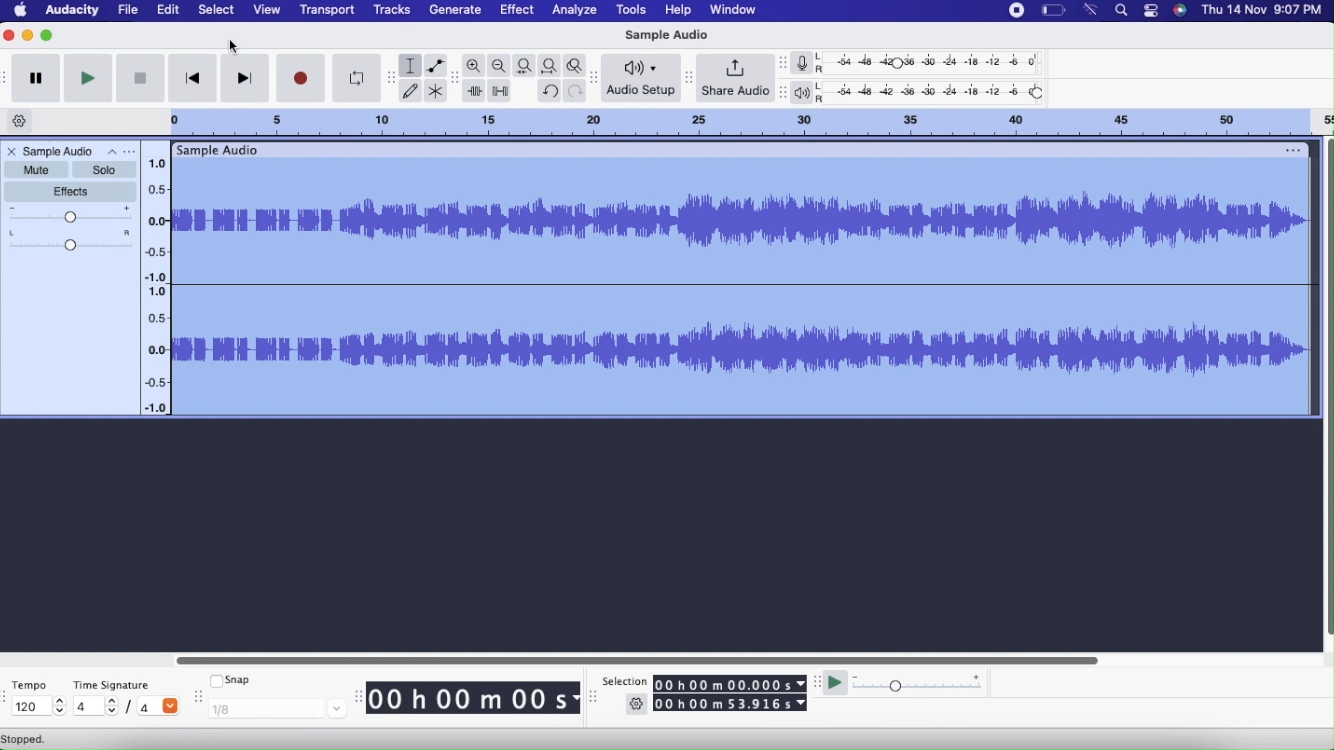 The image size is (1334, 750). What do you see at coordinates (97, 707) in the screenshot?
I see `4` at bounding box center [97, 707].